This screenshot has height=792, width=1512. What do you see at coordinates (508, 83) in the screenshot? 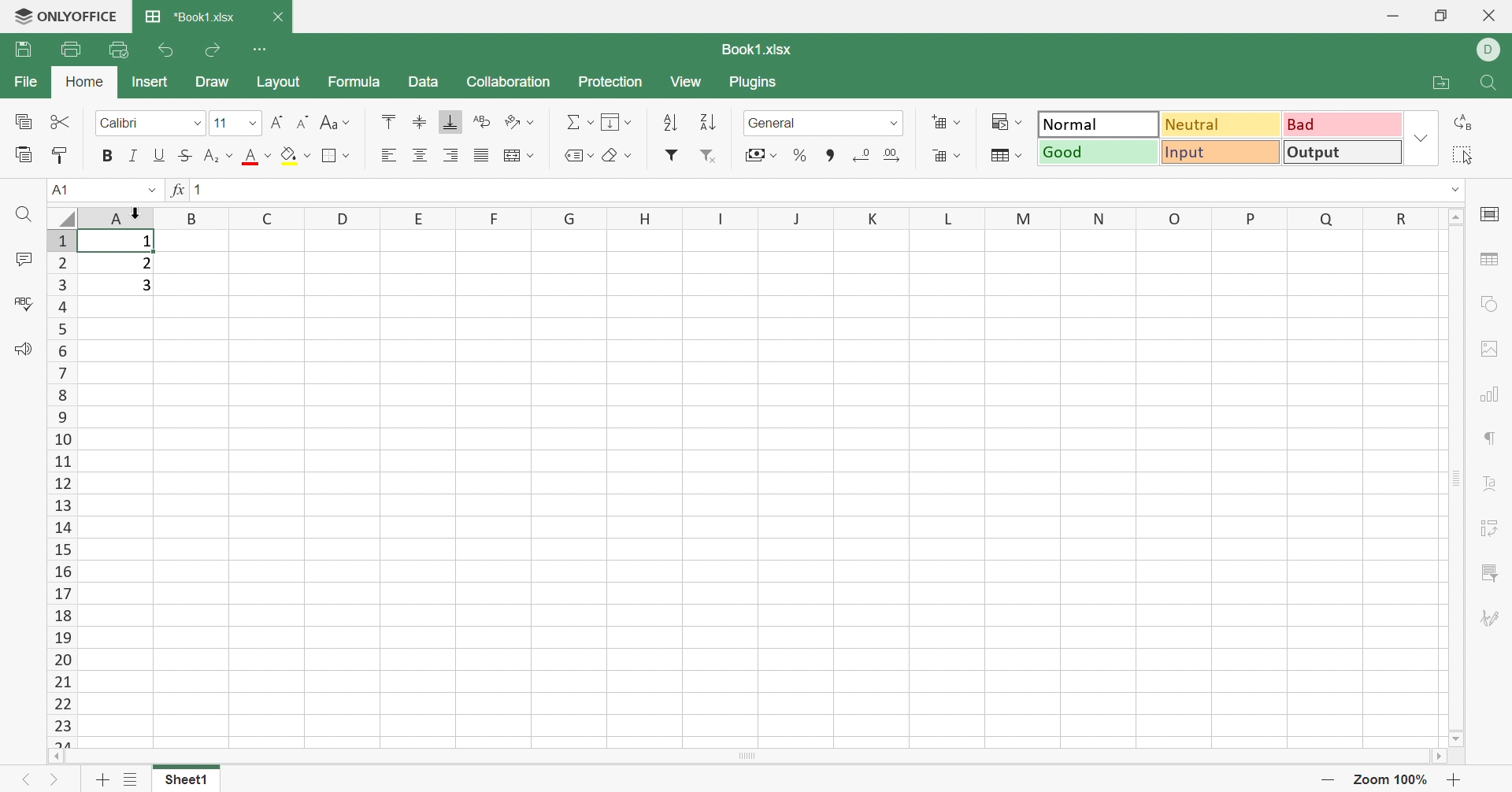
I see `Collaboration` at bounding box center [508, 83].